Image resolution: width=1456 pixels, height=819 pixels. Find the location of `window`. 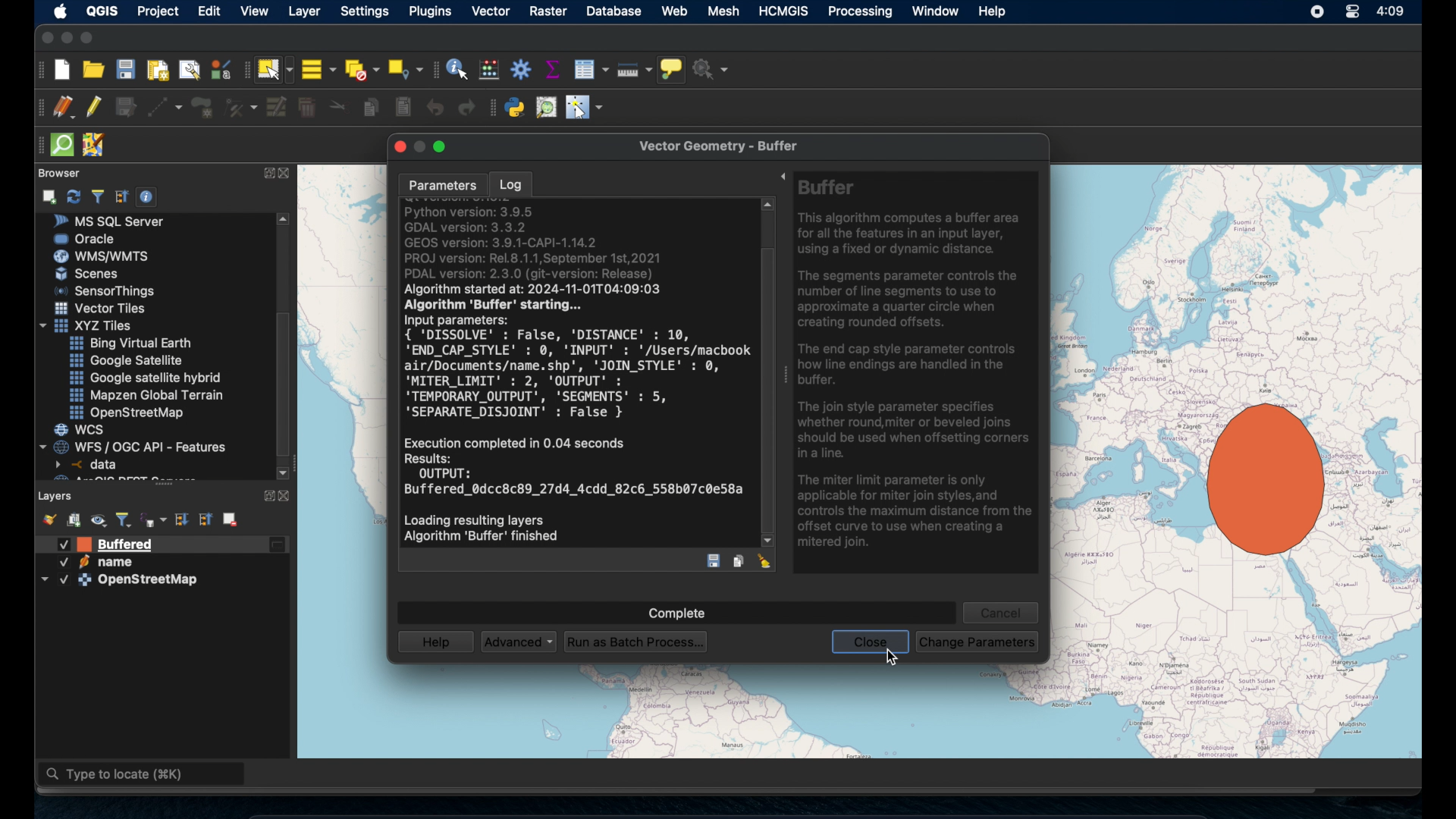

window is located at coordinates (934, 11).